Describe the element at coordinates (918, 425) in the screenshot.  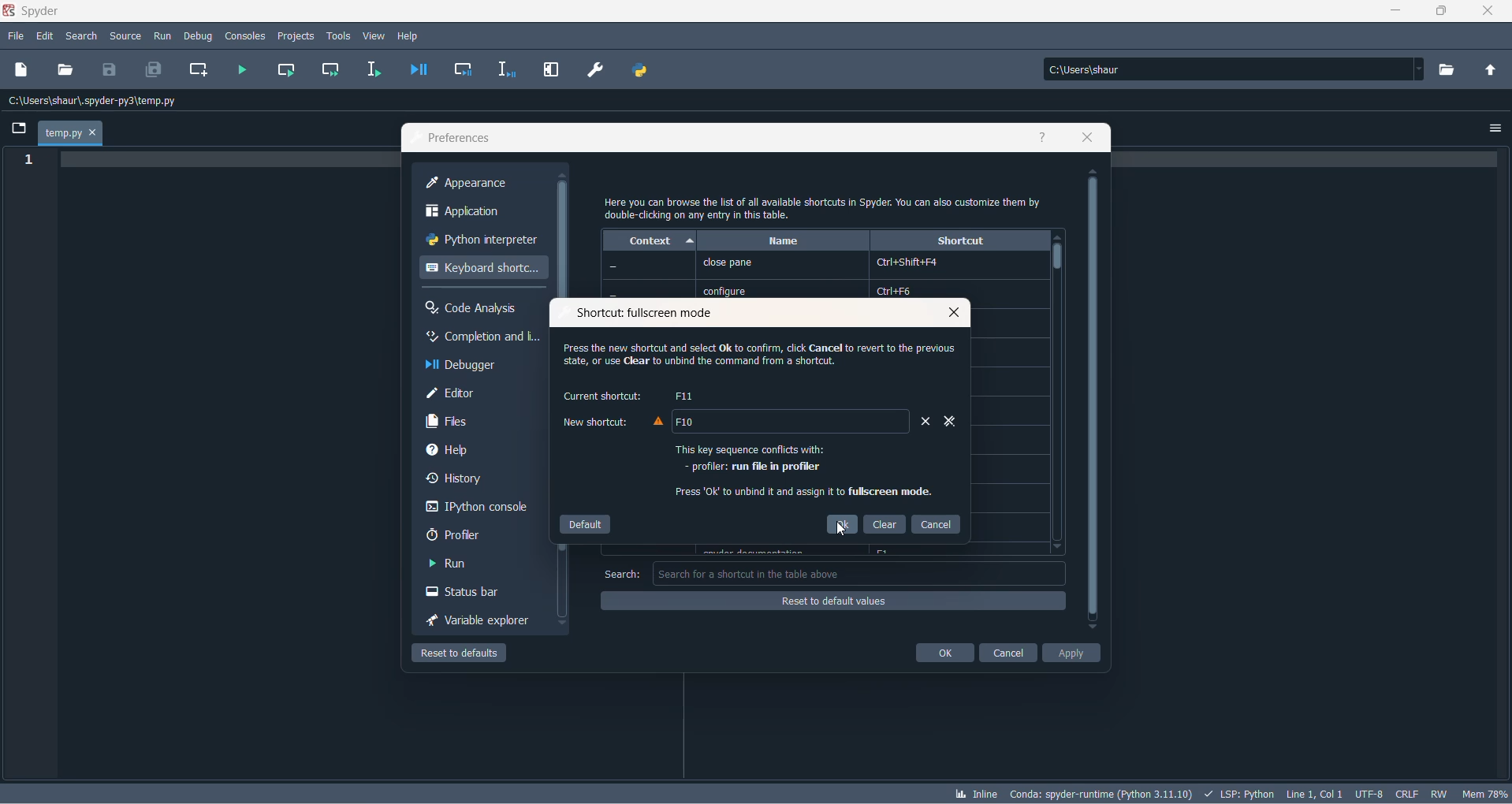
I see `remove` at that location.